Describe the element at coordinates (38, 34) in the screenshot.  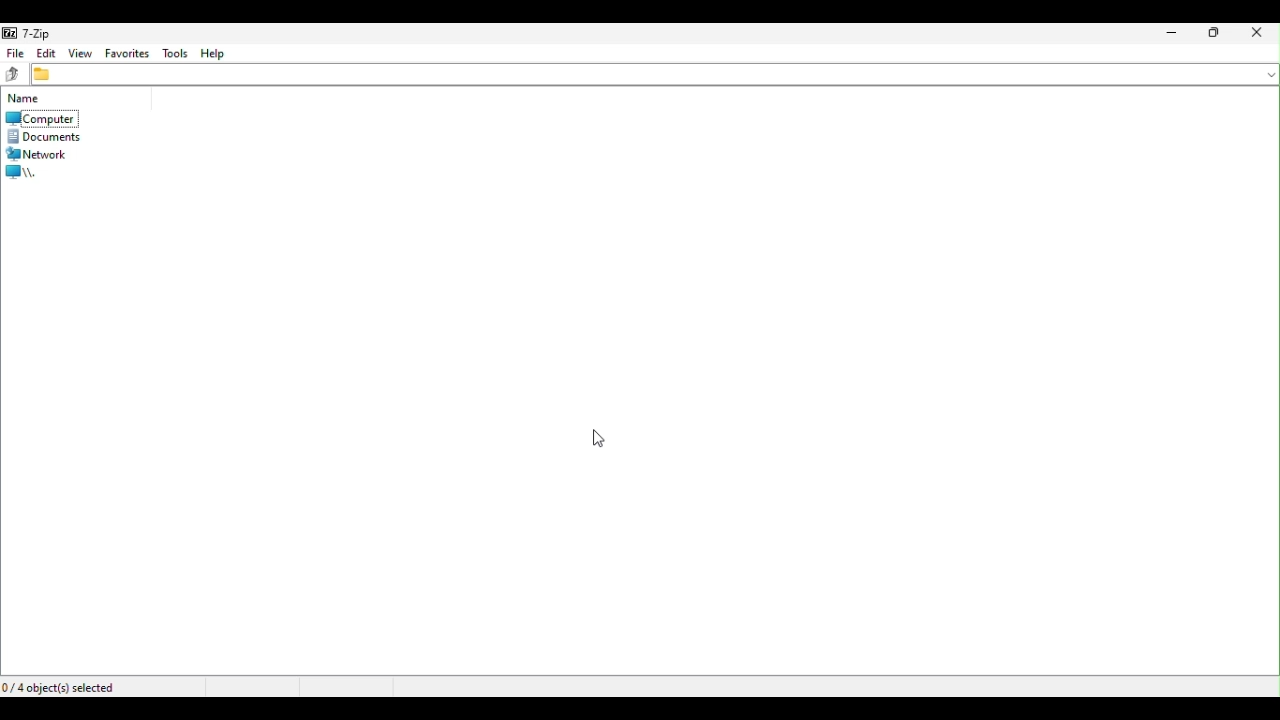
I see `7 zip ` at that location.